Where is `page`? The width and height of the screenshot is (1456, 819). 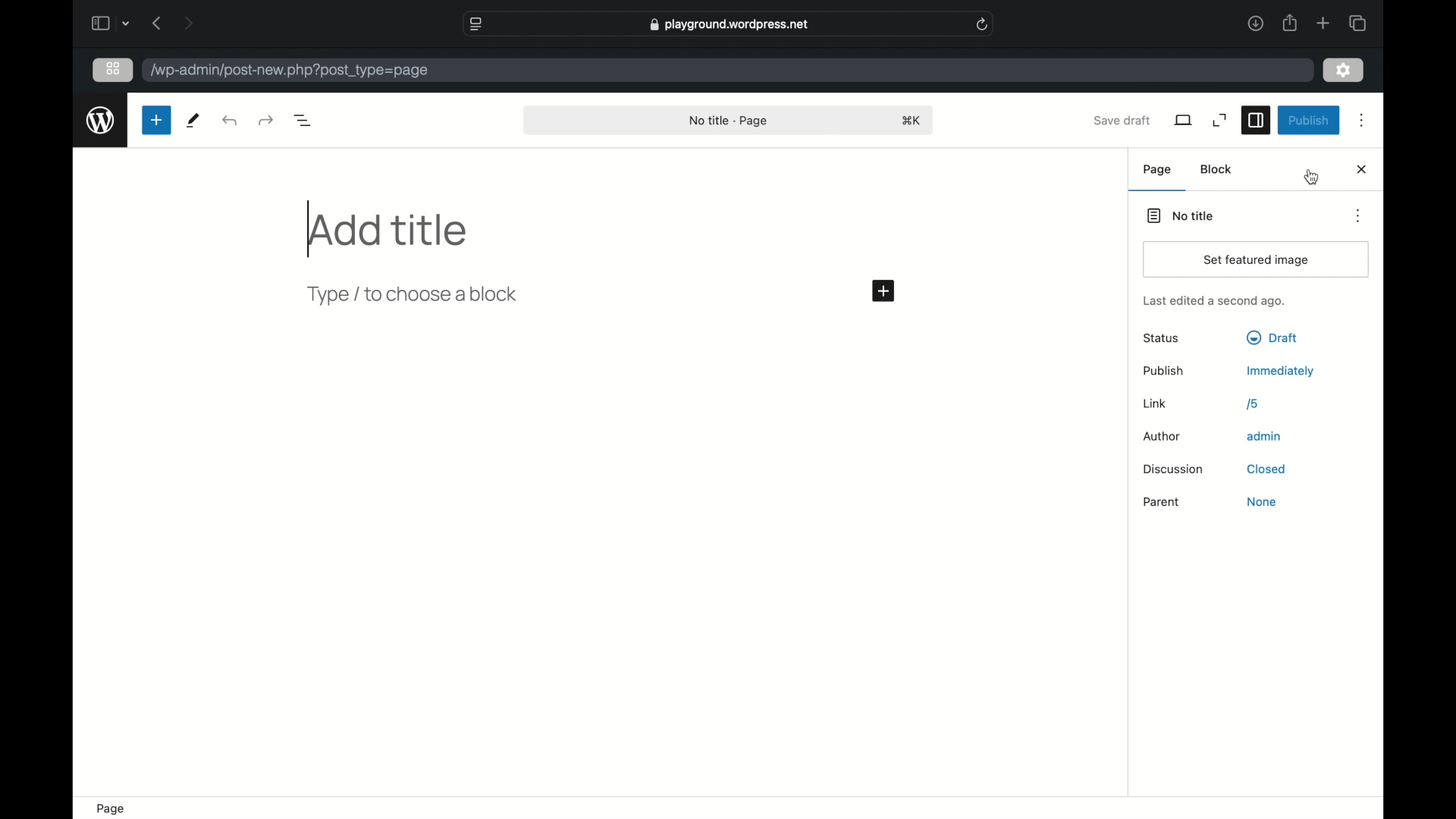
page is located at coordinates (1159, 170).